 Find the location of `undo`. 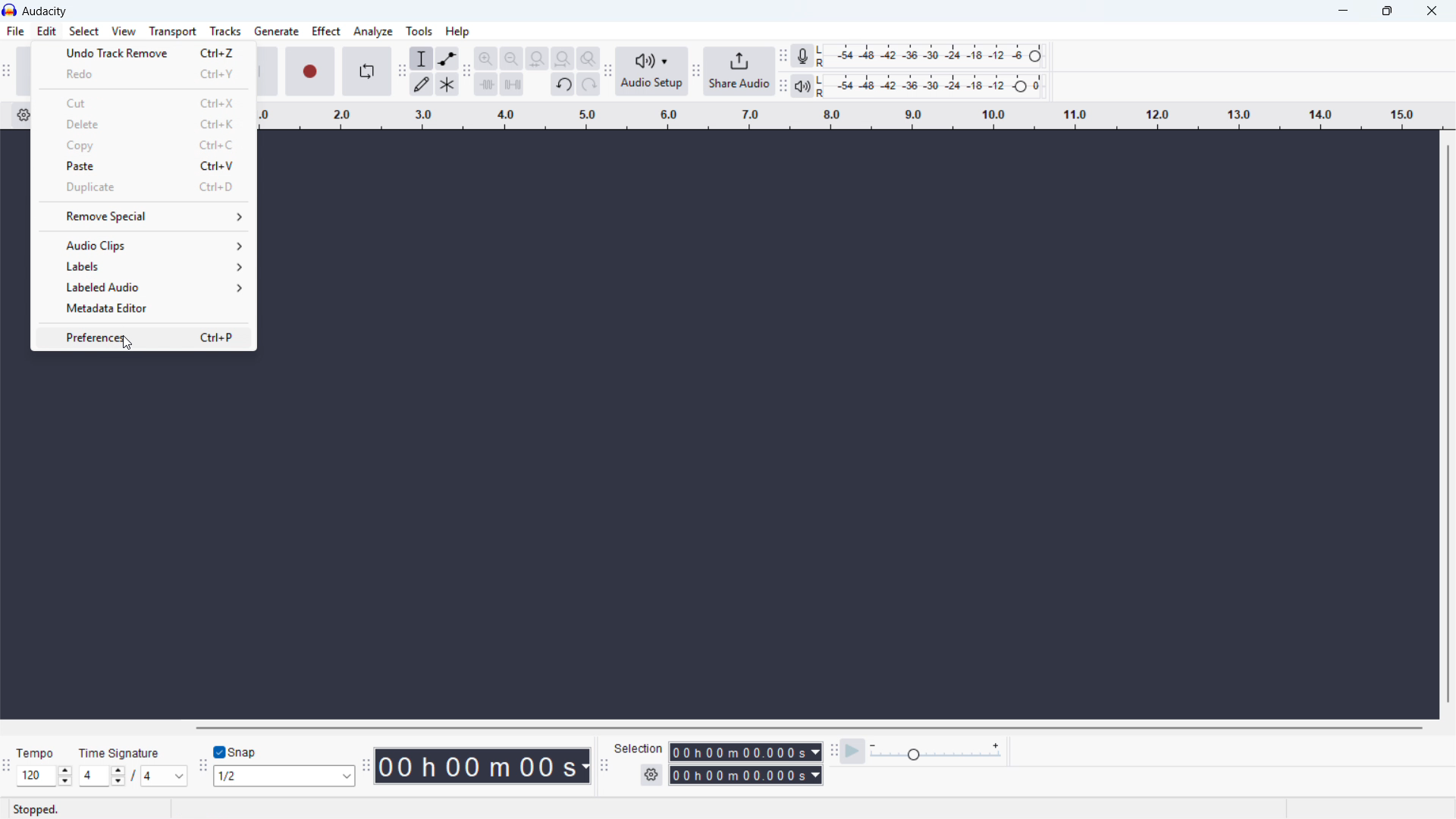

undo is located at coordinates (563, 85).